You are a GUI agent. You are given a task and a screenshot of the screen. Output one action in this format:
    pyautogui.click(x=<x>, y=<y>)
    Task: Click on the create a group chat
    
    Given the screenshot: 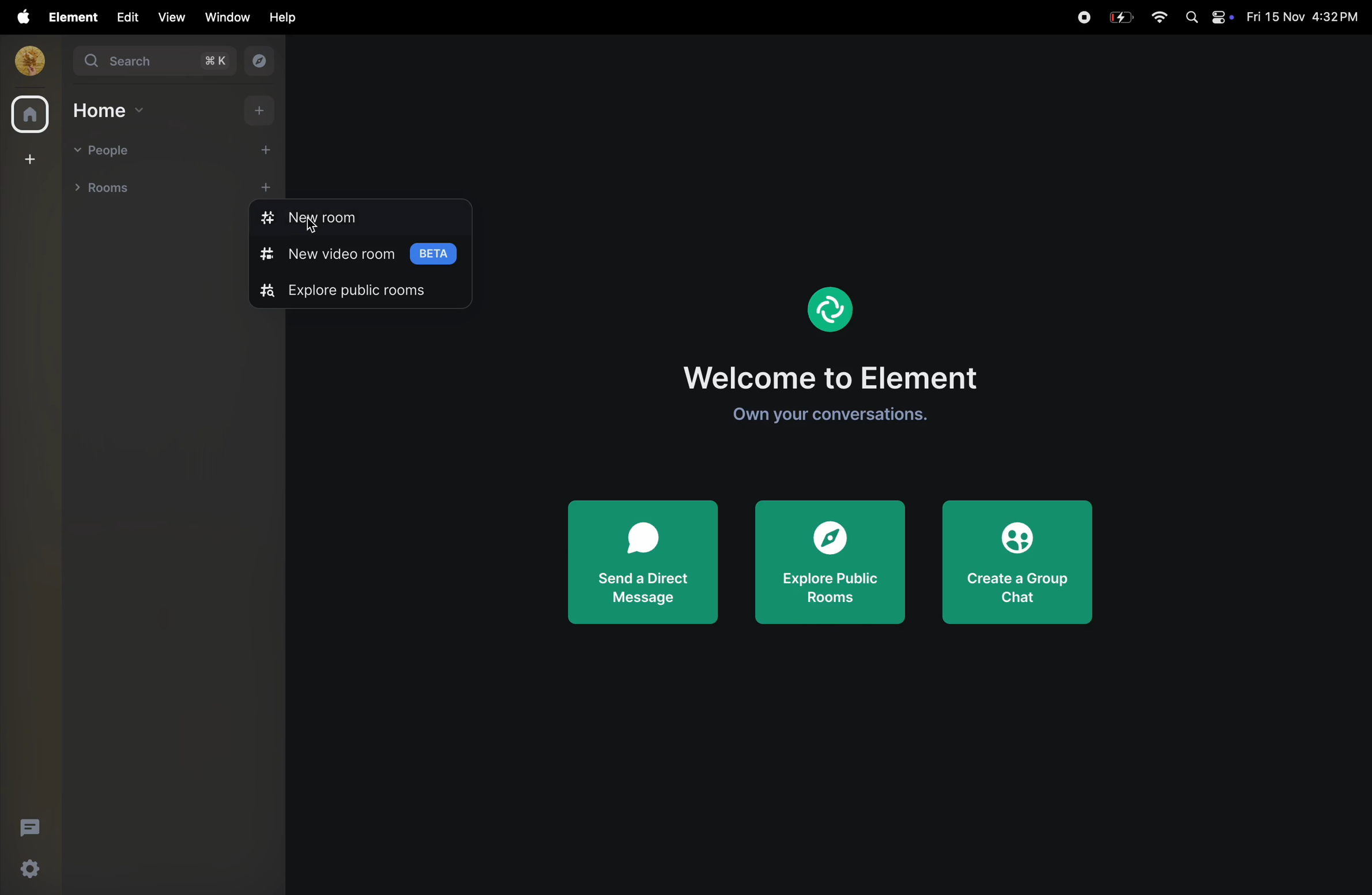 What is the action you would take?
    pyautogui.click(x=1021, y=558)
    